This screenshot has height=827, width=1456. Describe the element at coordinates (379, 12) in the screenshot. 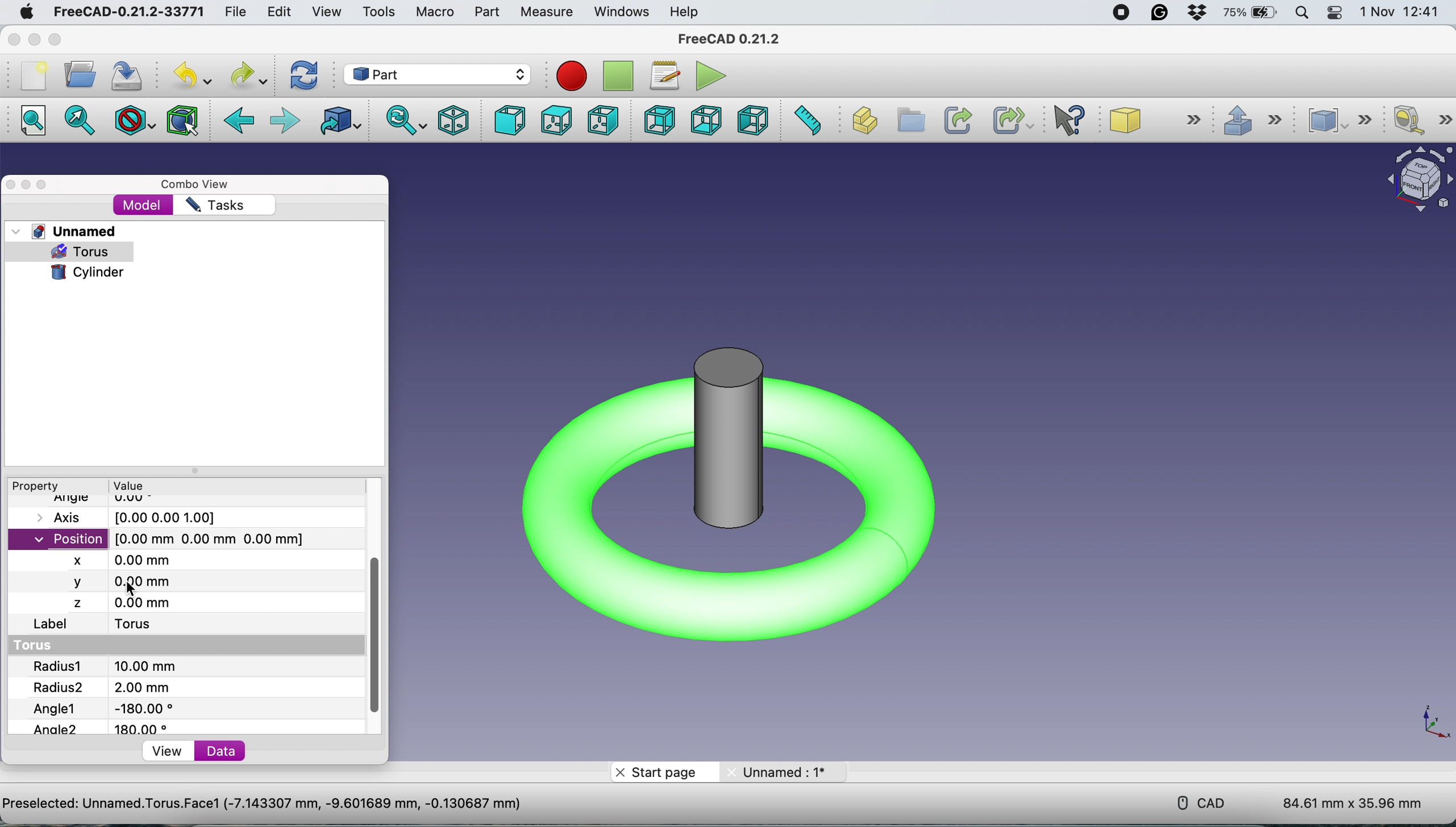

I see `tools` at that location.